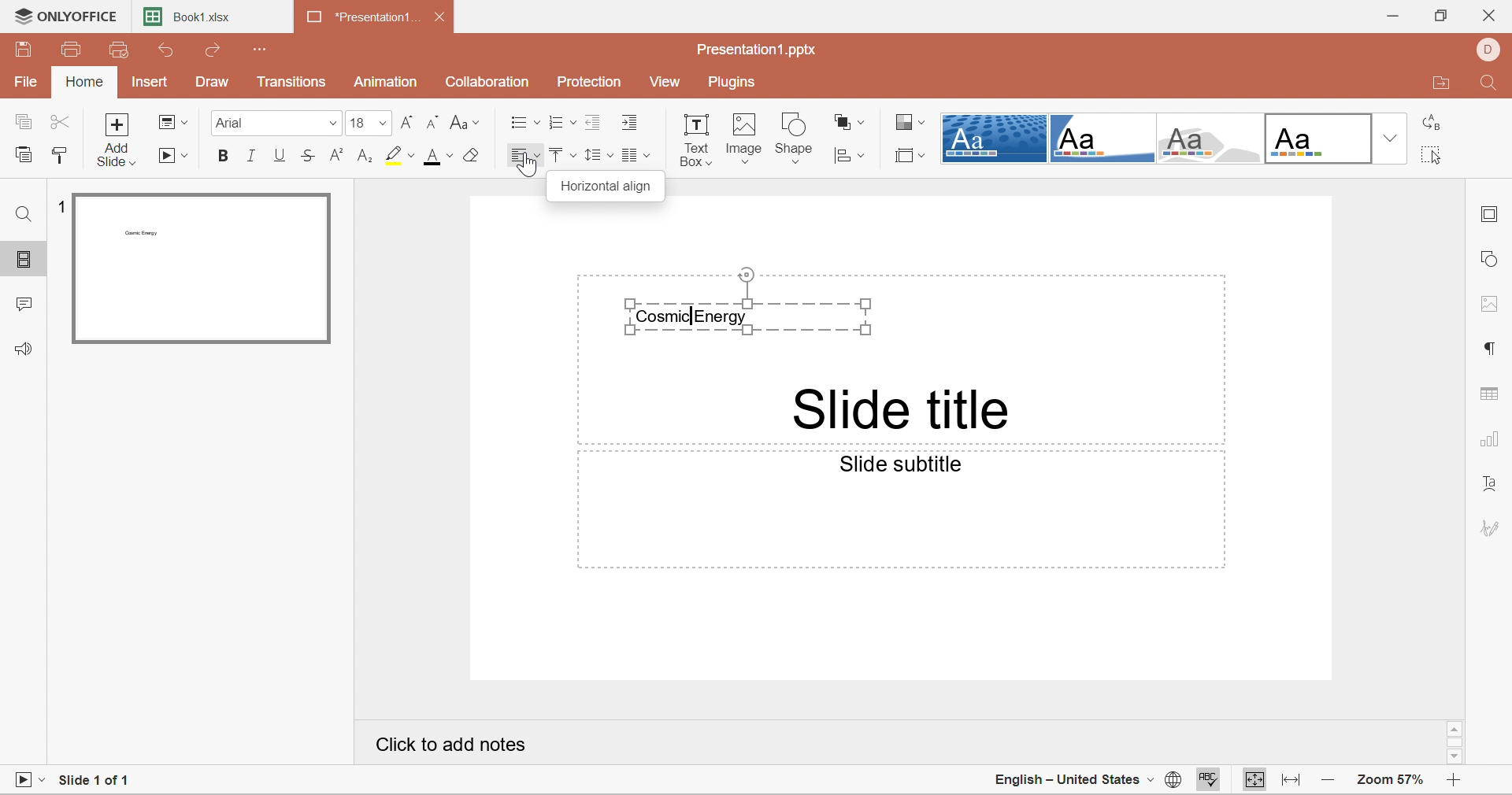 This screenshot has height=795, width=1512. I want to click on Increase Indent, so click(632, 122).